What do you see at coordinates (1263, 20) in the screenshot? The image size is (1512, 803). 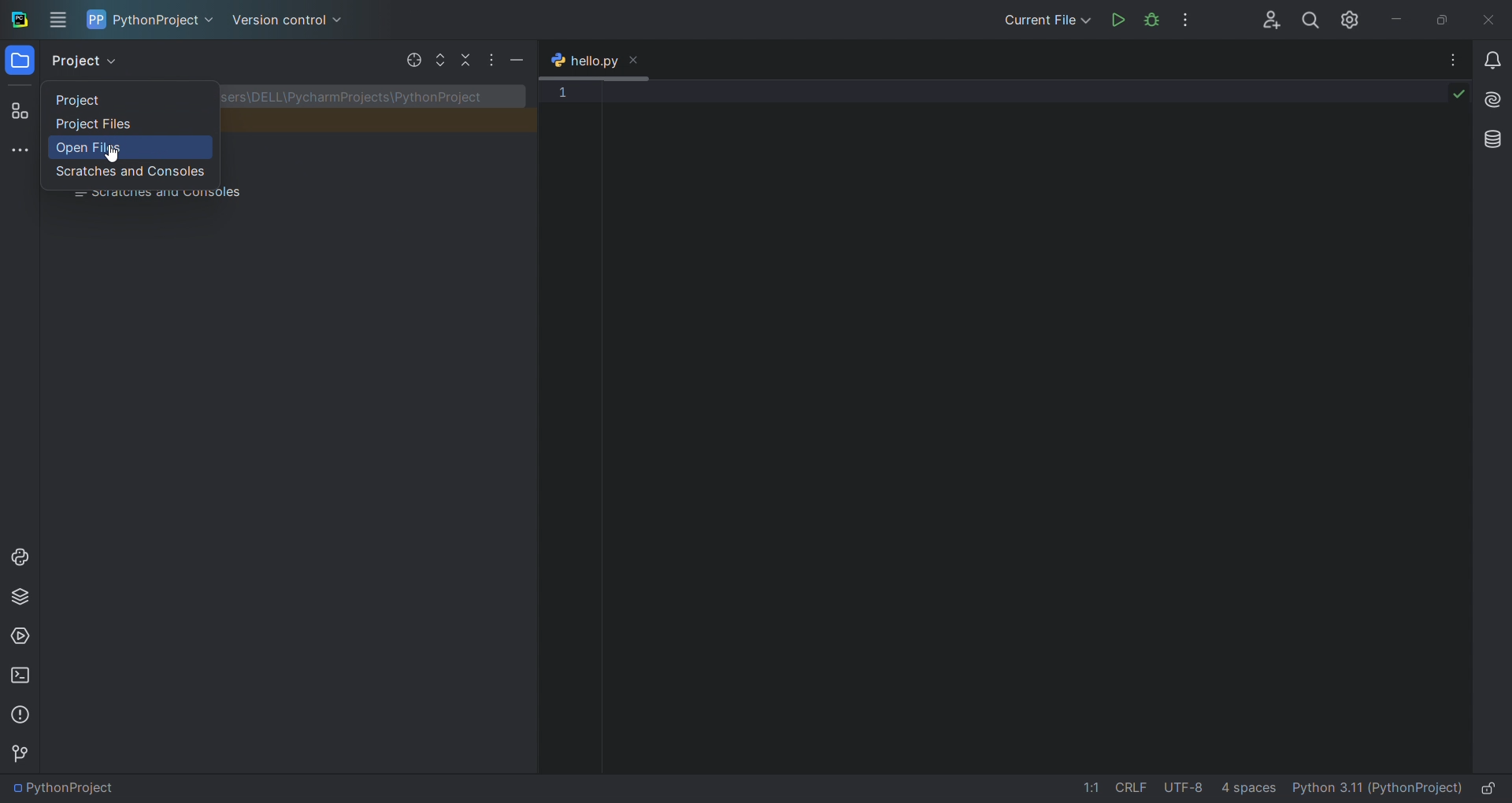 I see `add collab` at bounding box center [1263, 20].